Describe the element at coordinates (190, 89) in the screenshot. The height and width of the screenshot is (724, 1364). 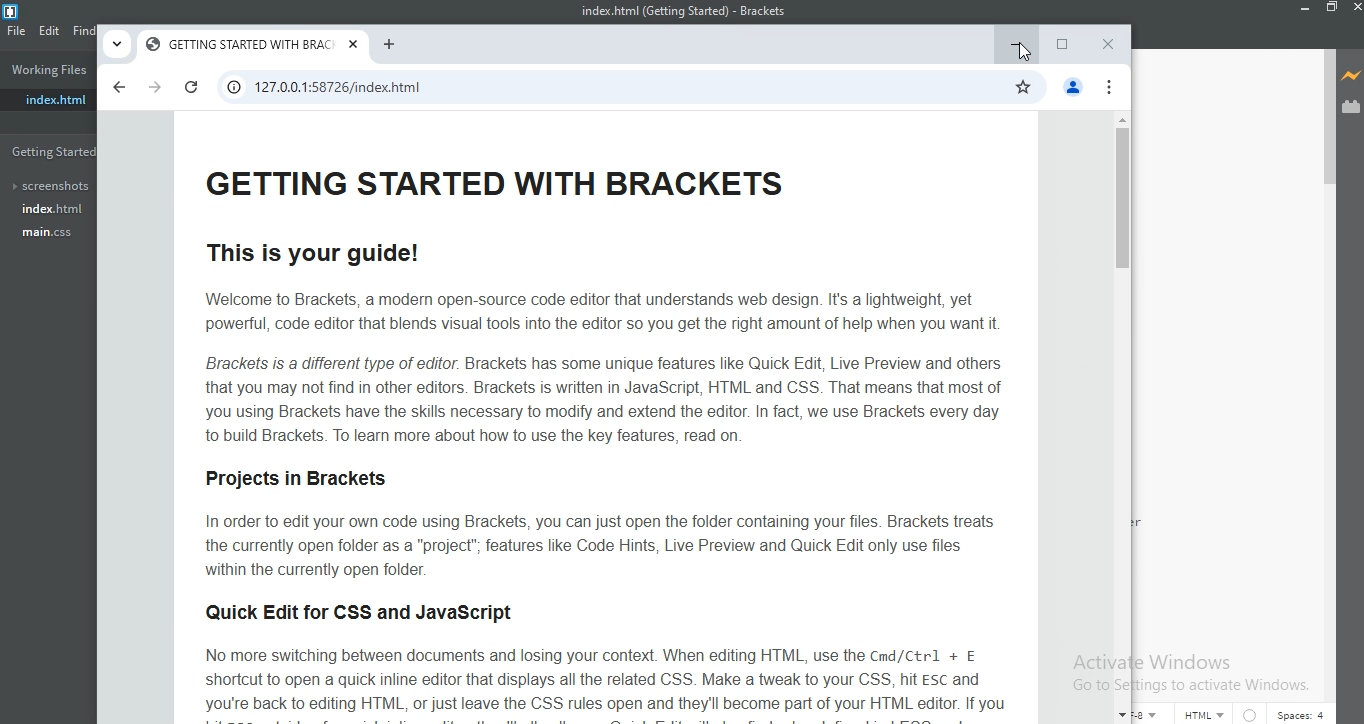
I see `refresh` at that location.